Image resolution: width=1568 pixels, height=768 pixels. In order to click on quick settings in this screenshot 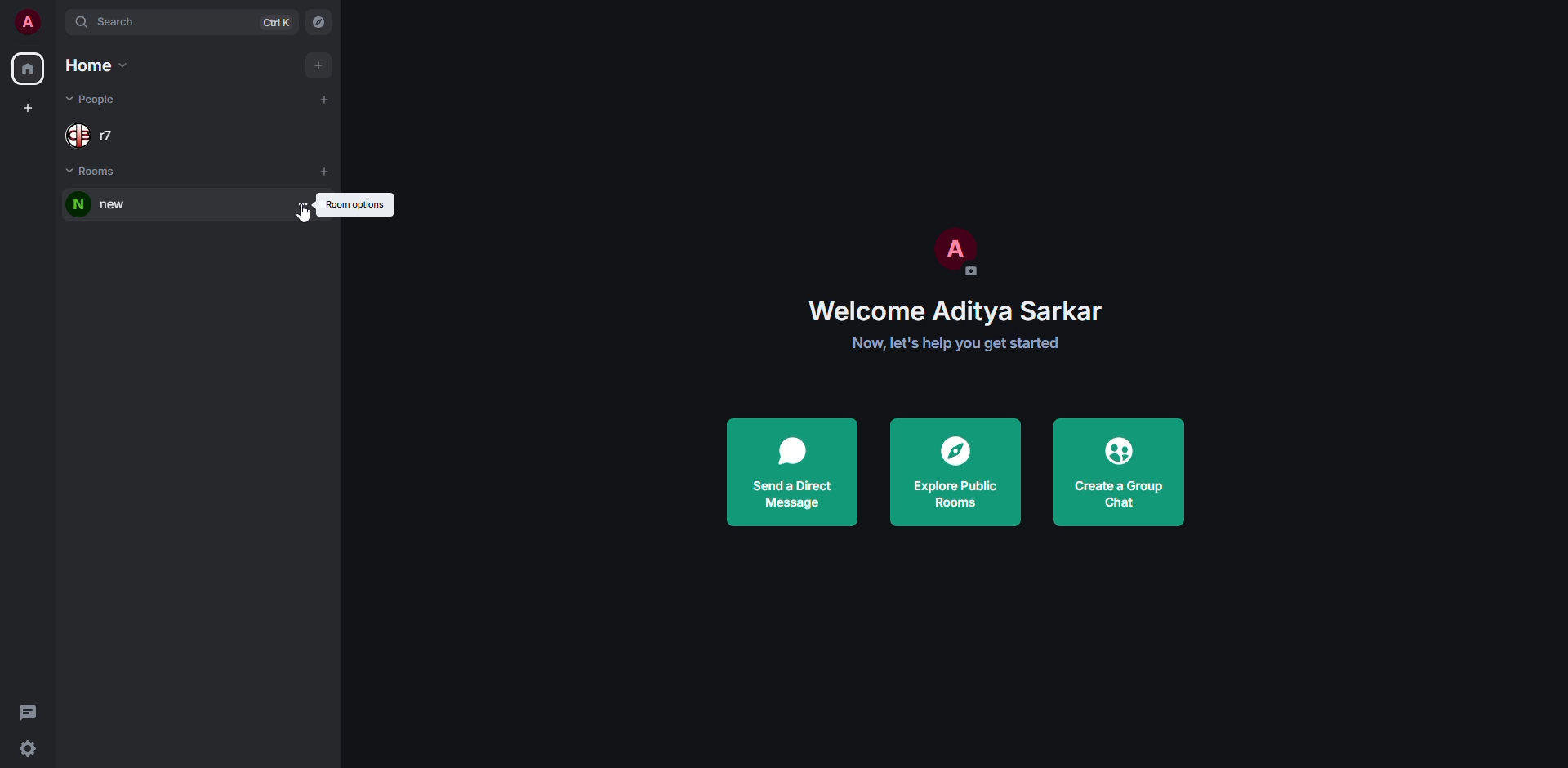, I will do `click(27, 750)`.